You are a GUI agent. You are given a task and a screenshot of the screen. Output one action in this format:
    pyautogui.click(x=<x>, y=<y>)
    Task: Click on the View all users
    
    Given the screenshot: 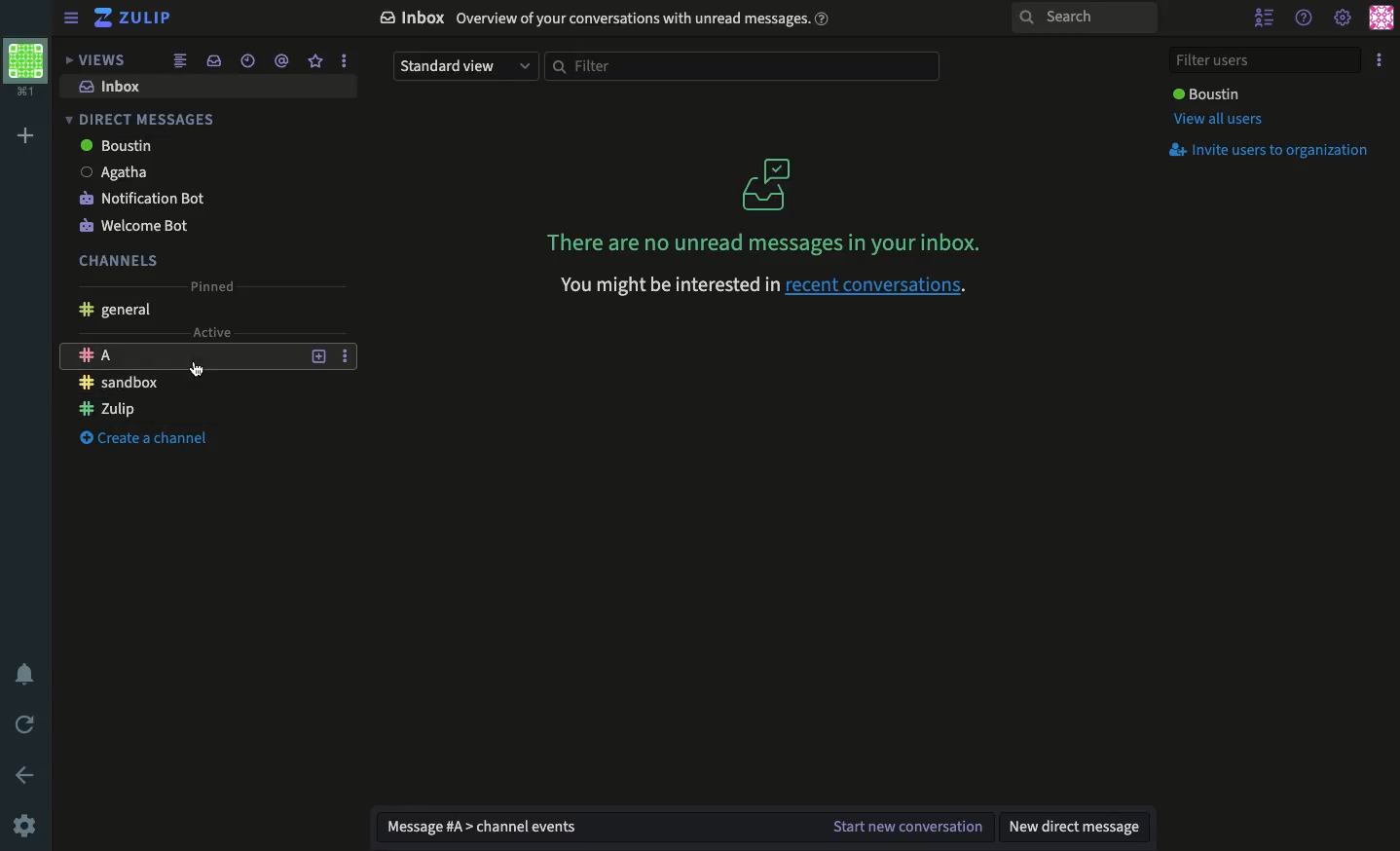 What is the action you would take?
    pyautogui.click(x=1220, y=121)
    